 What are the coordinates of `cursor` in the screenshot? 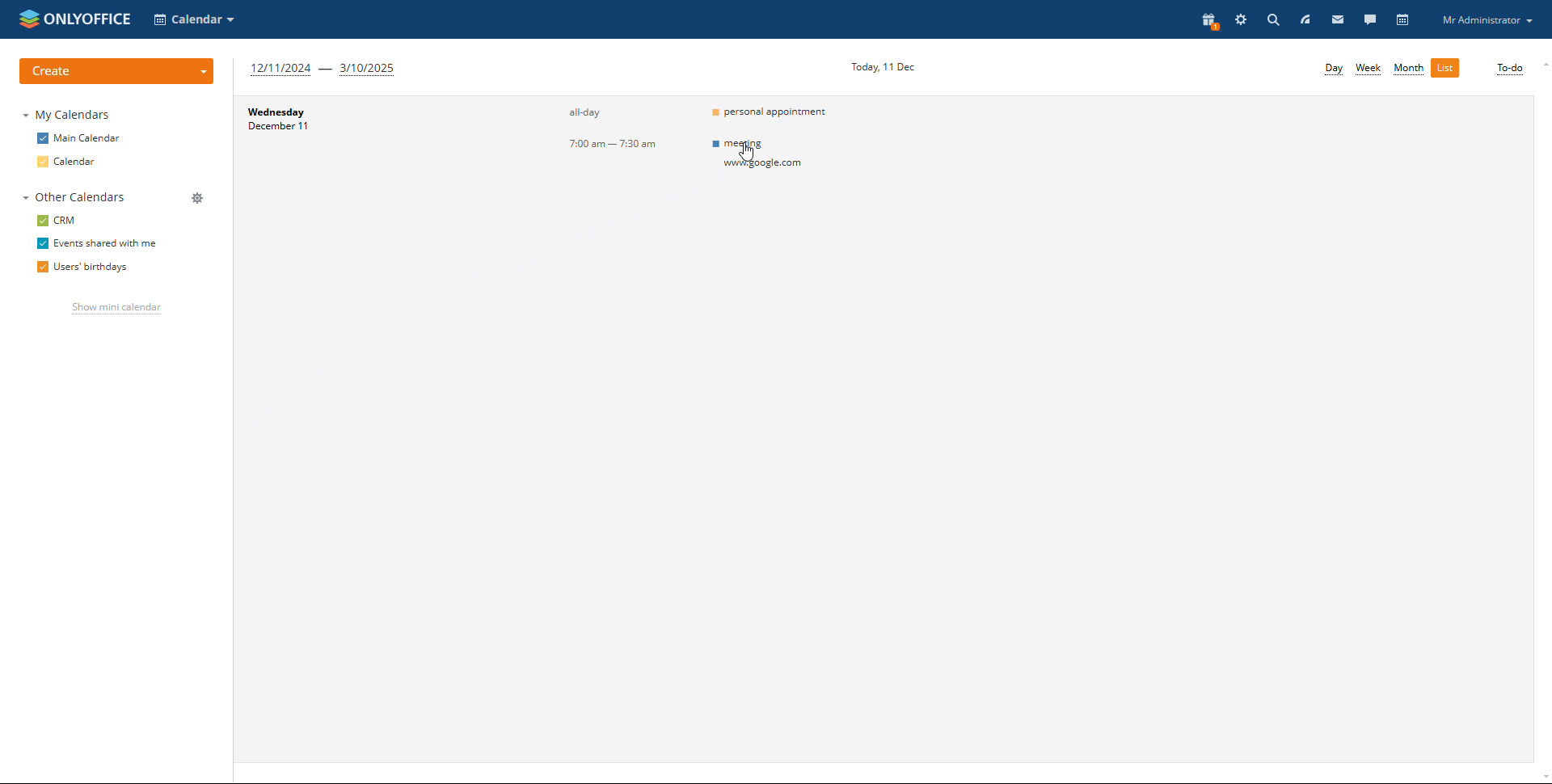 It's located at (746, 152).